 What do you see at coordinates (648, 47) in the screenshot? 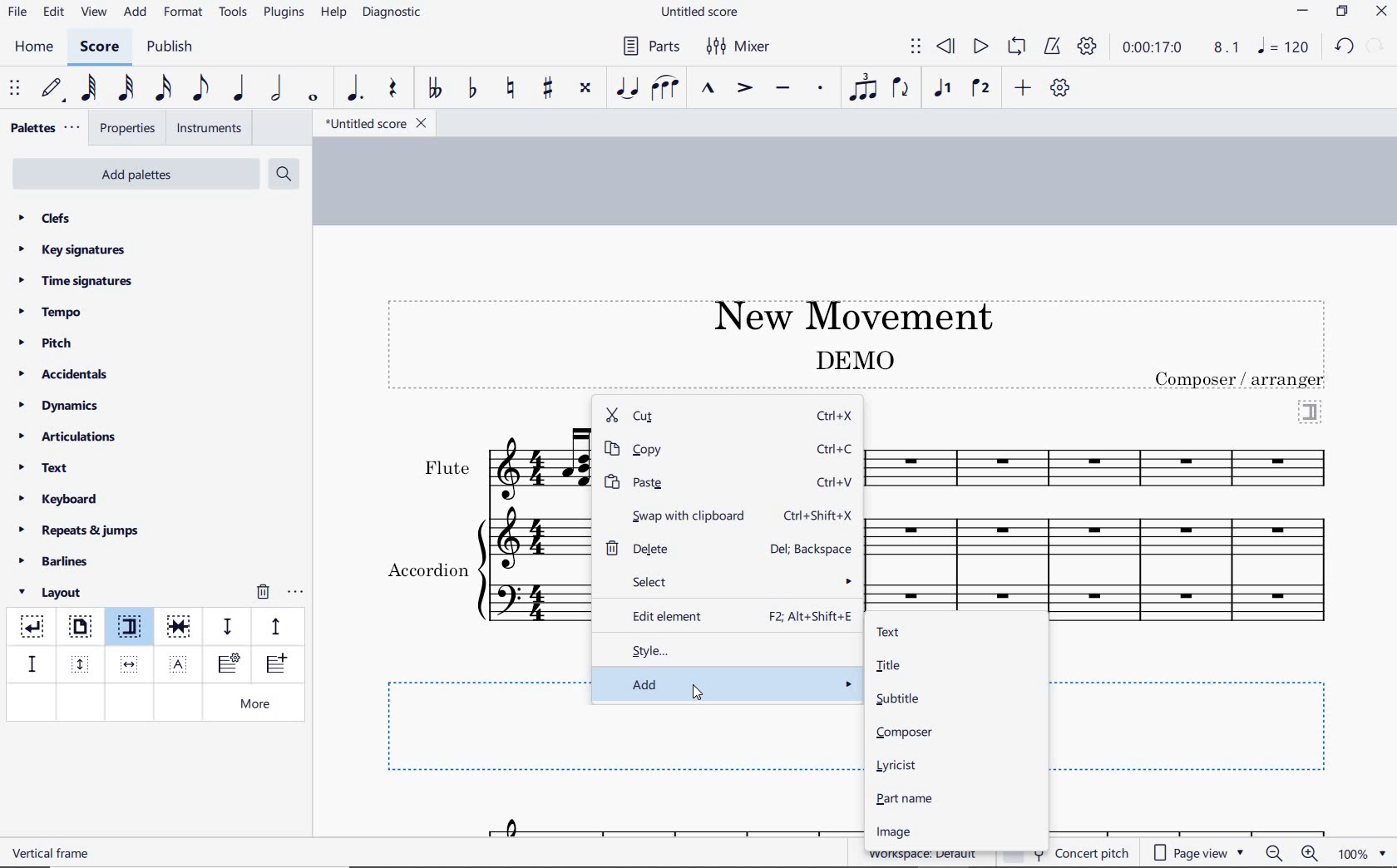
I see `Parts` at bounding box center [648, 47].